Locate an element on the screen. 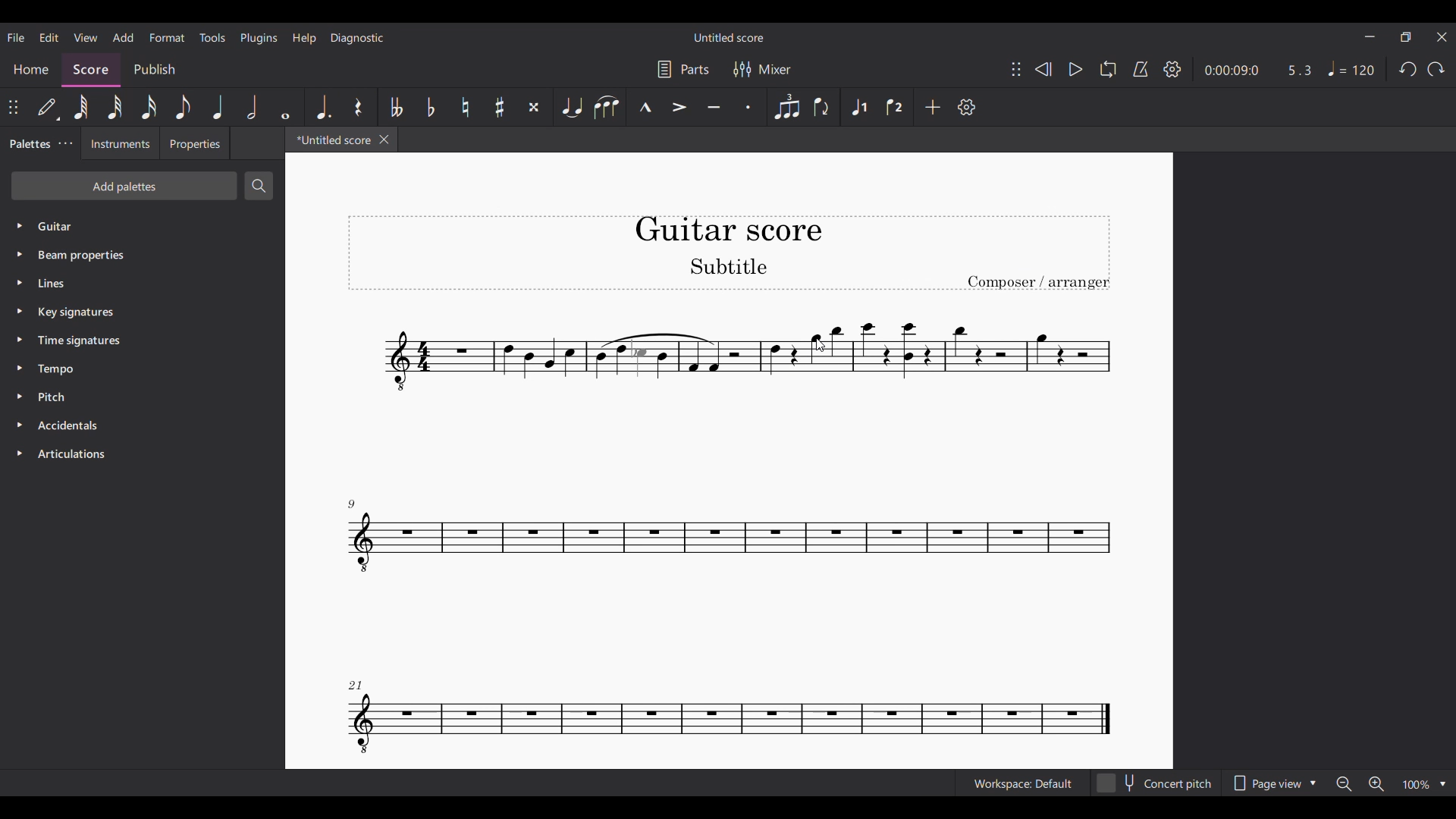 Image resolution: width=1456 pixels, height=819 pixels. Click to expand tempo palette is located at coordinates (19, 367).